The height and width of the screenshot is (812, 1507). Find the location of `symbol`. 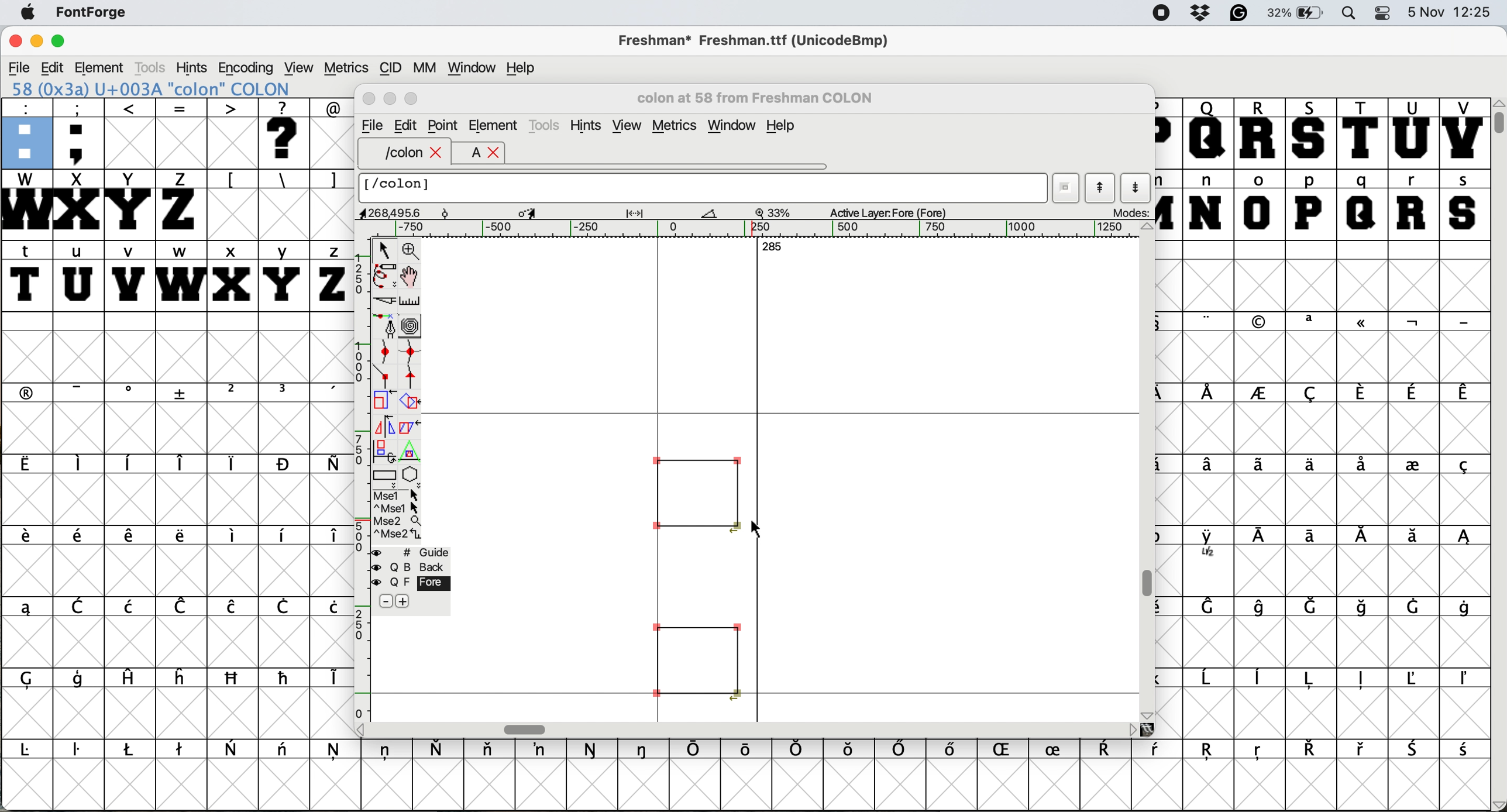

symbol is located at coordinates (1412, 393).